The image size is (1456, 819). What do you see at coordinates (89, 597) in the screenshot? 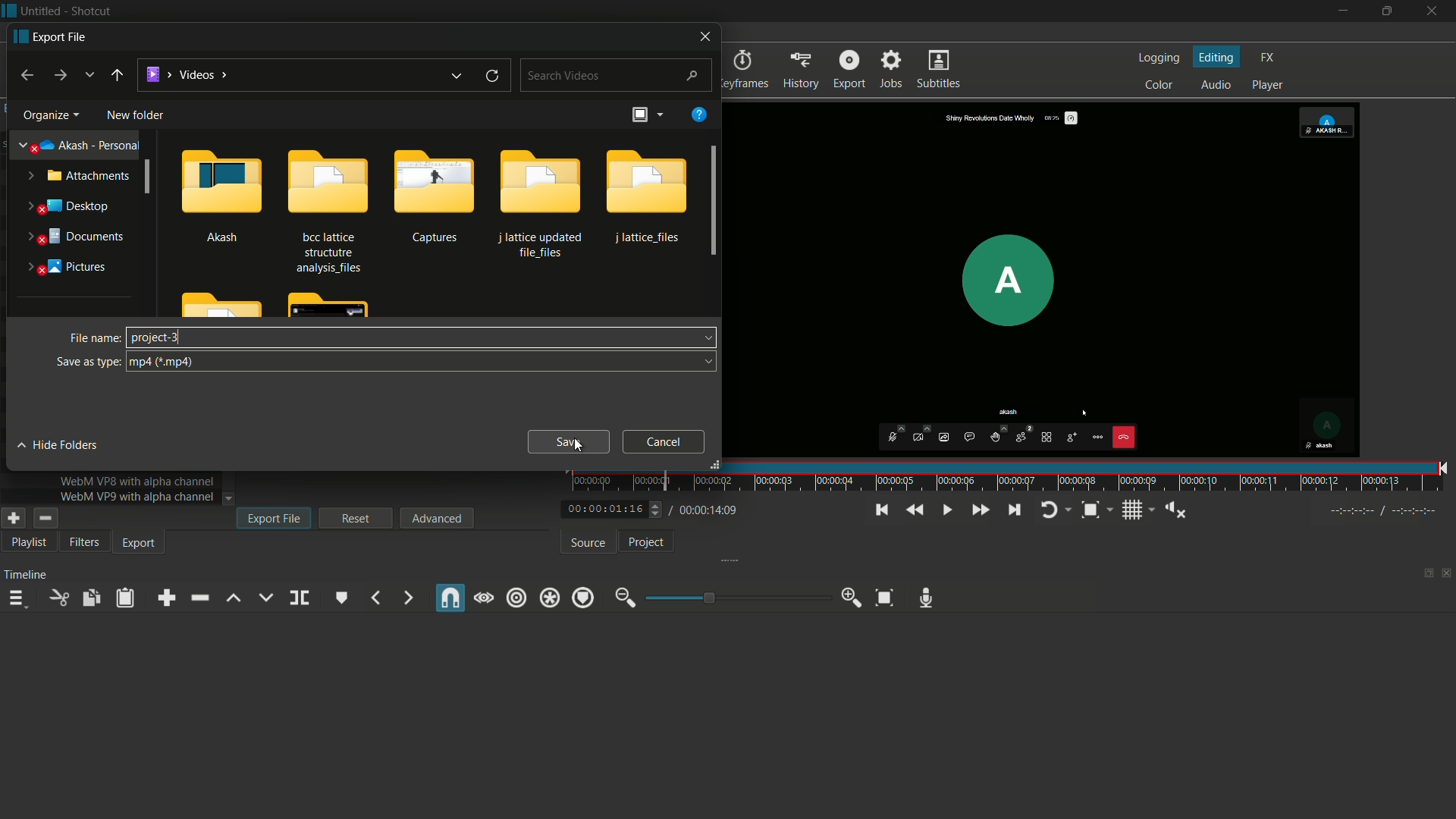
I see `copy checked filters` at bounding box center [89, 597].